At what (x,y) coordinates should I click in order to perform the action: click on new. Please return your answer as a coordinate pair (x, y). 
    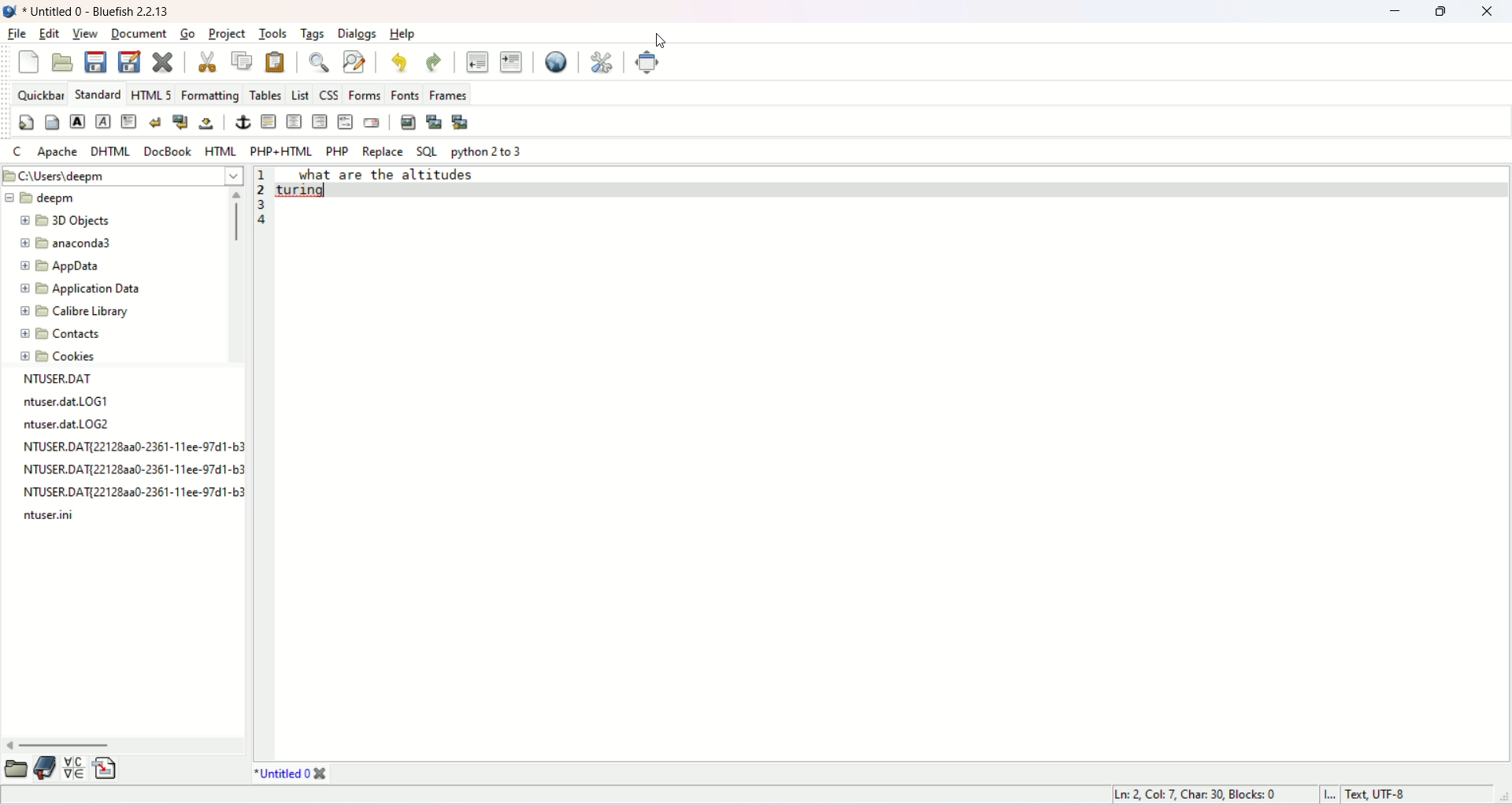
    Looking at the image, I should click on (25, 63).